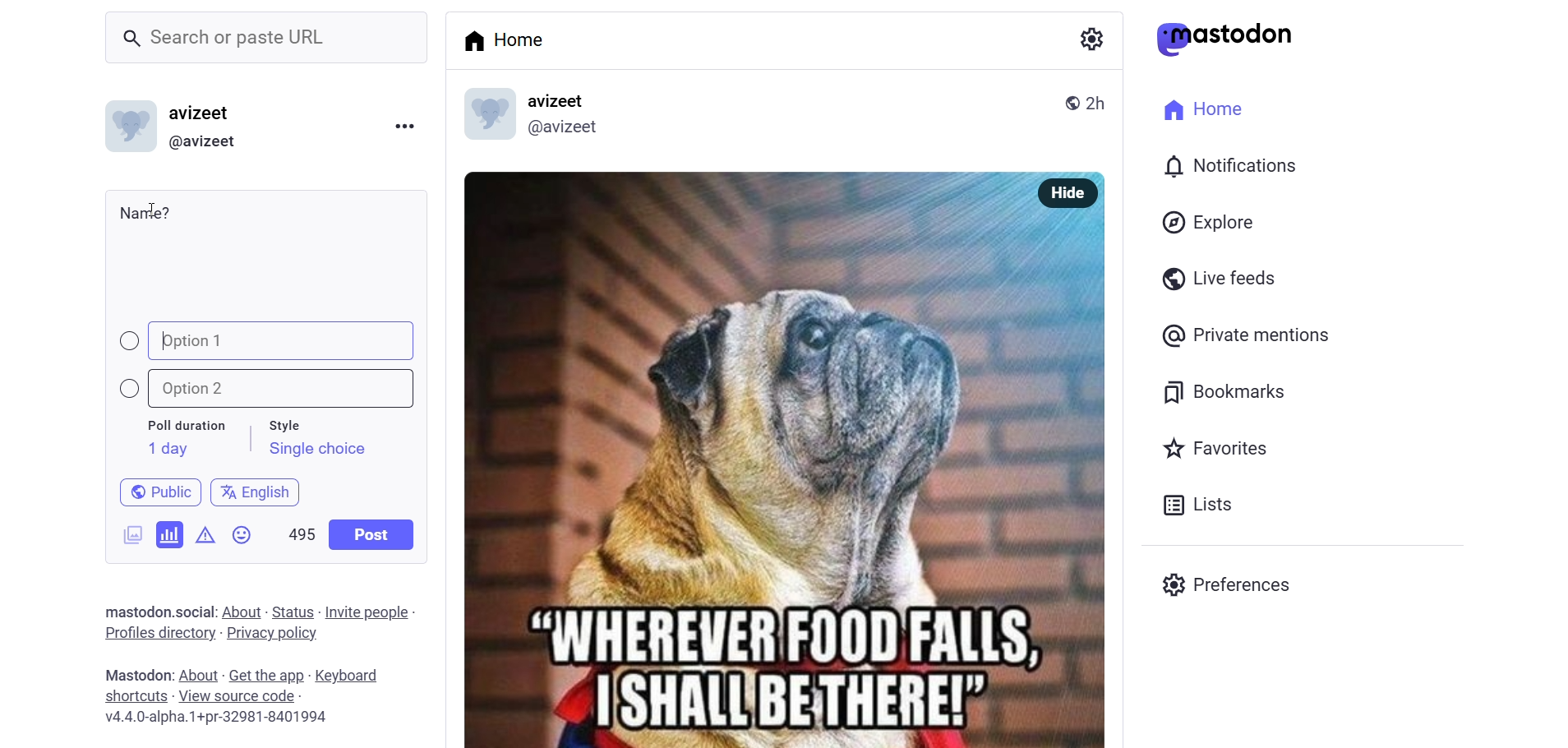 The image size is (1568, 748). What do you see at coordinates (1247, 335) in the screenshot?
I see `private mention` at bounding box center [1247, 335].